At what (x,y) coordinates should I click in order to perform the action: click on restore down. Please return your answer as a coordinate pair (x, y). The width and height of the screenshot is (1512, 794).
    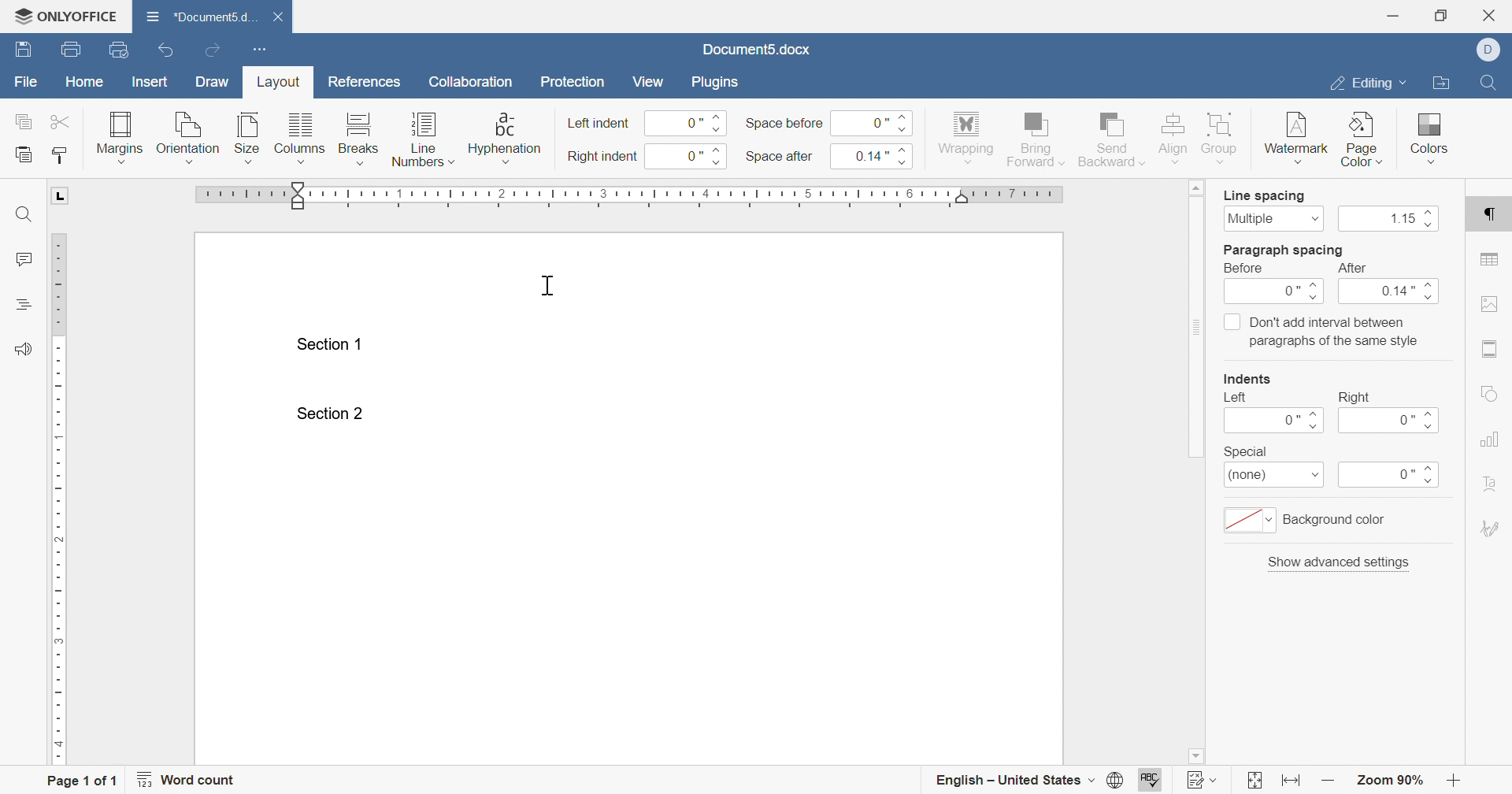
    Looking at the image, I should click on (1441, 16).